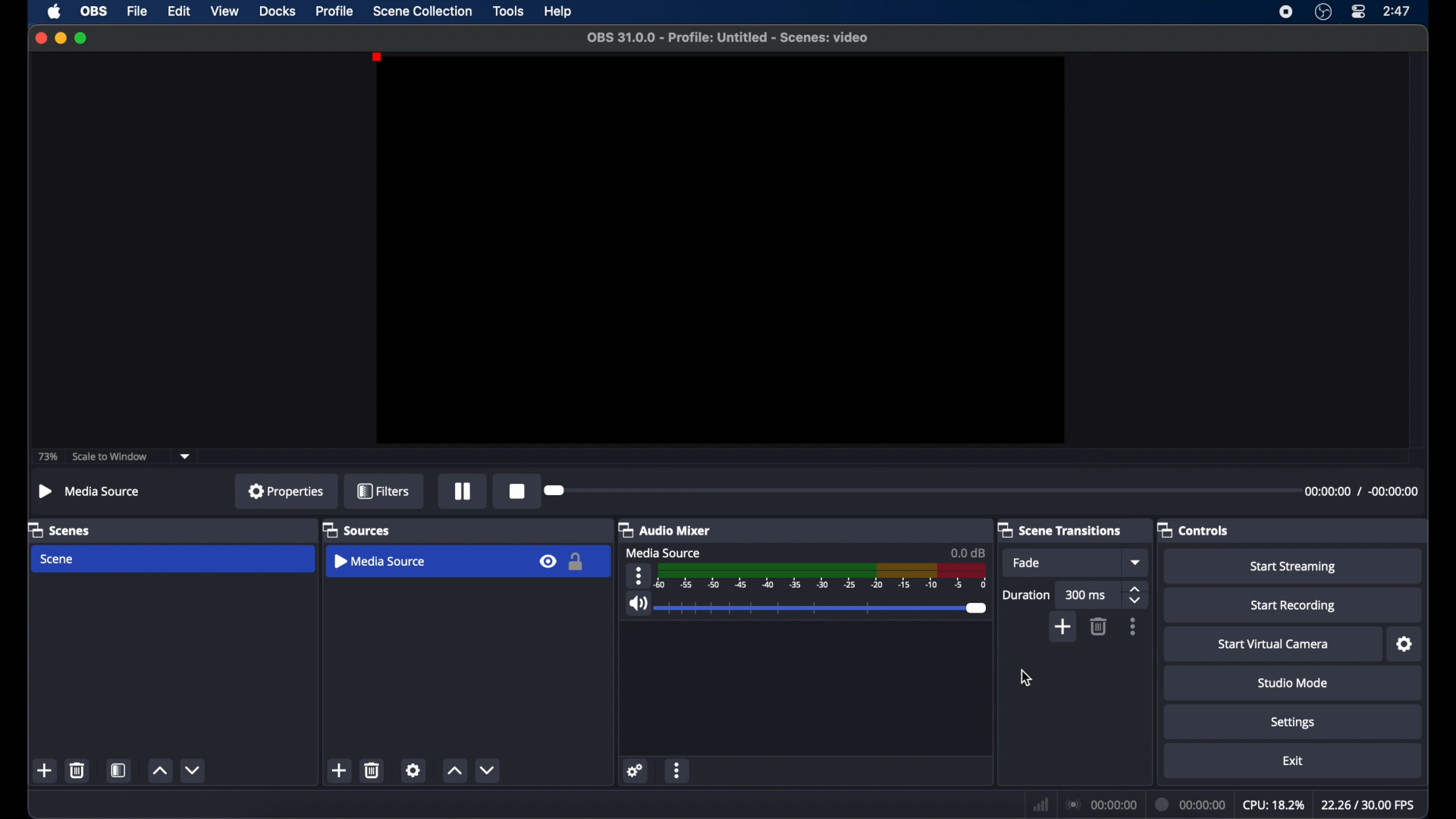 This screenshot has width=1456, height=819. Describe the element at coordinates (1027, 679) in the screenshot. I see `cursor` at that location.